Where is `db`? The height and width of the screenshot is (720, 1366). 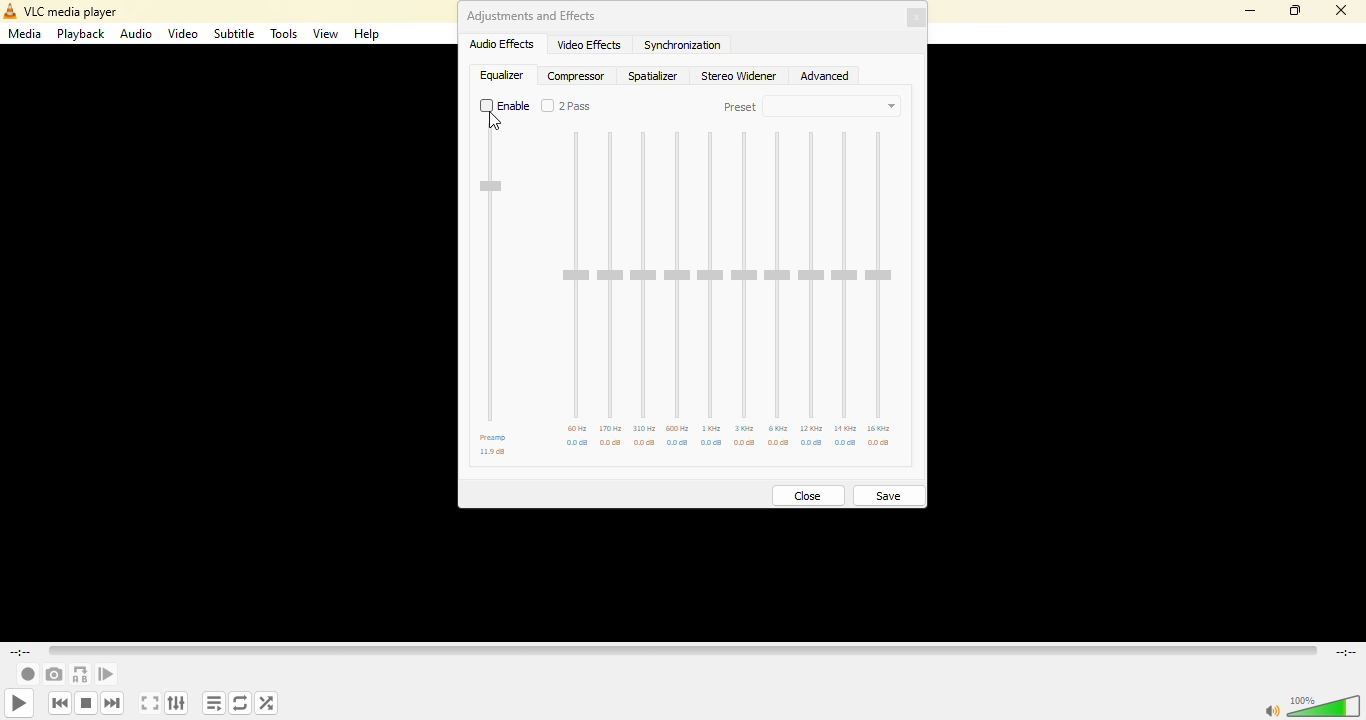 db is located at coordinates (610, 443).